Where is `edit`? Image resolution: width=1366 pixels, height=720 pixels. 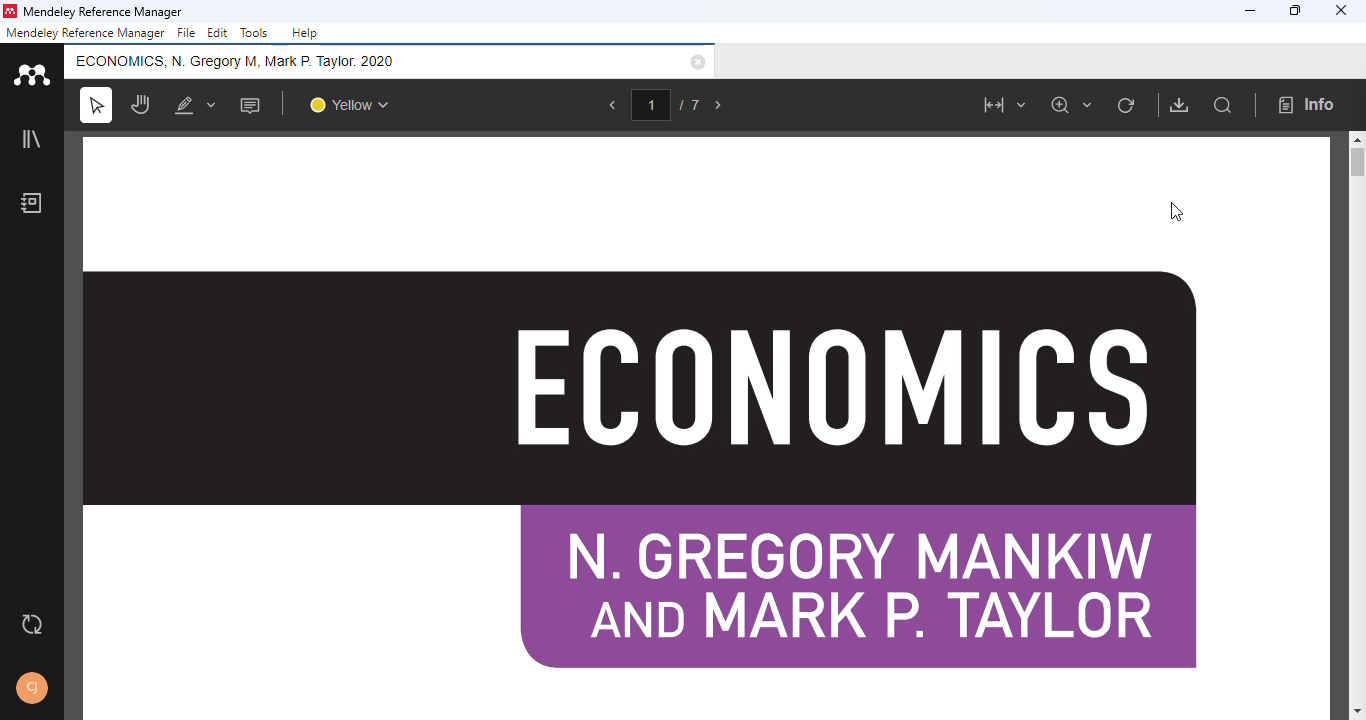 edit is located at coordinates (218, 33).